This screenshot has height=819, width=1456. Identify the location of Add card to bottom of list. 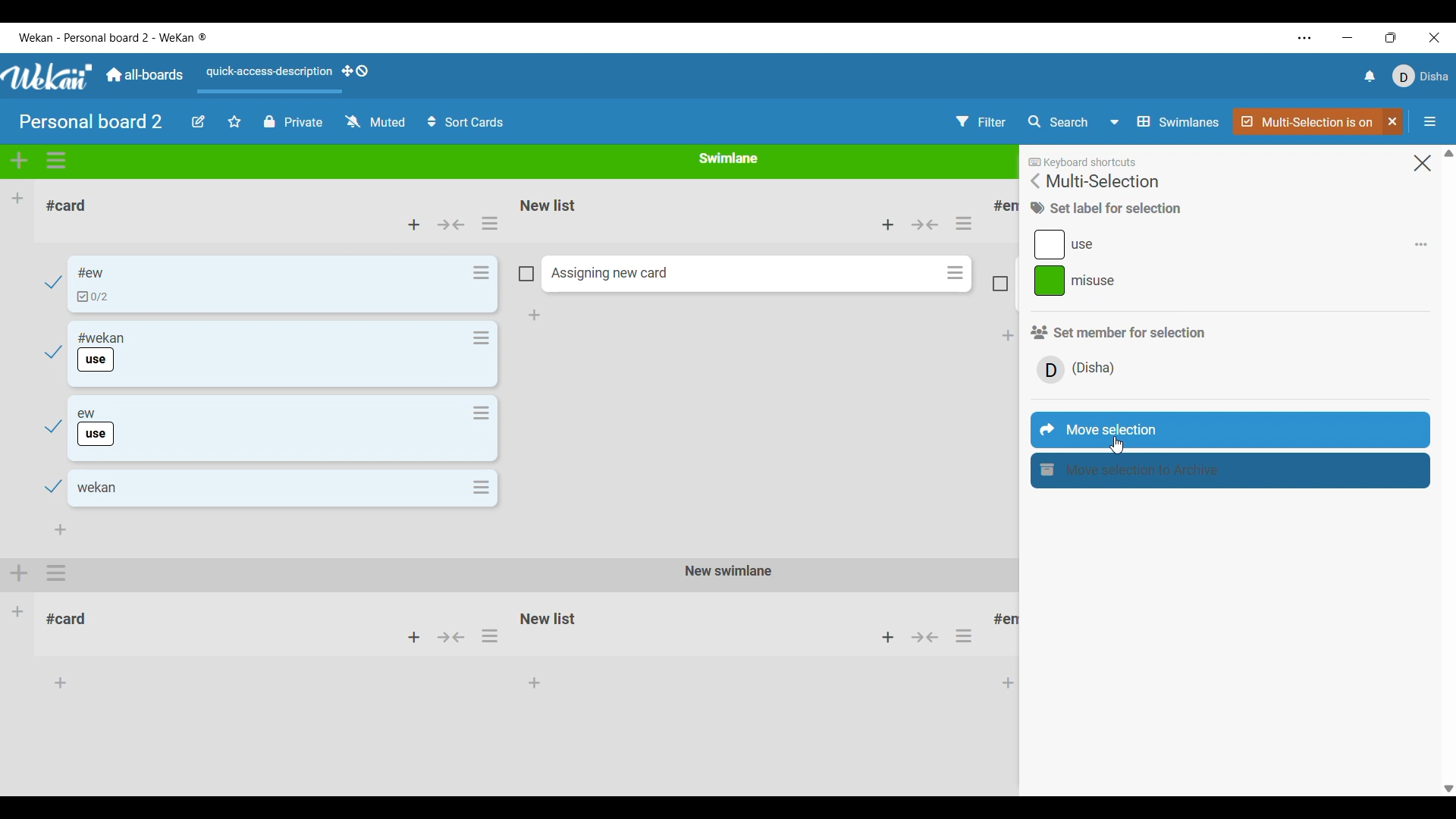
(60, 530).